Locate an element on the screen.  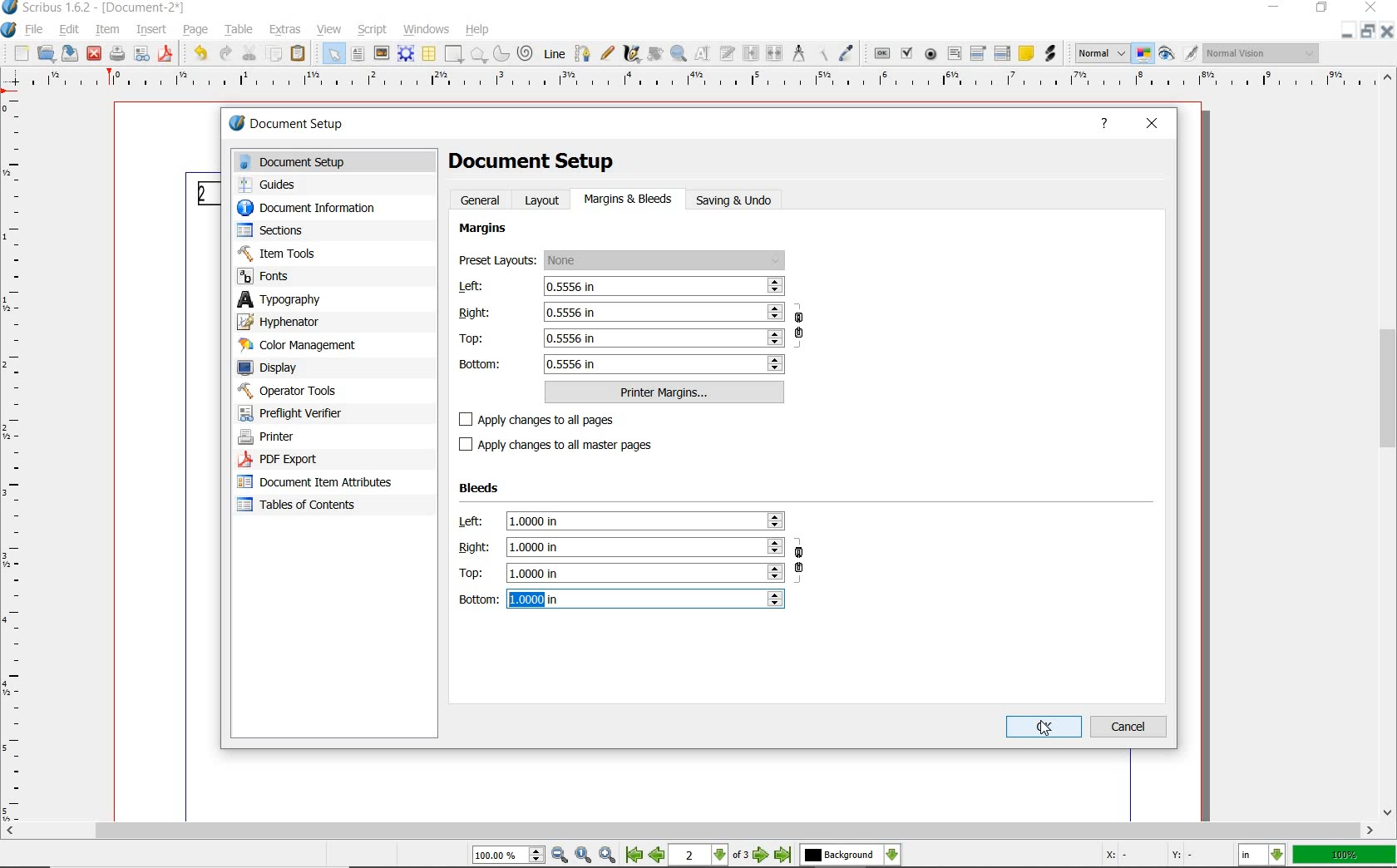
display is located at coordinates (275, 368).